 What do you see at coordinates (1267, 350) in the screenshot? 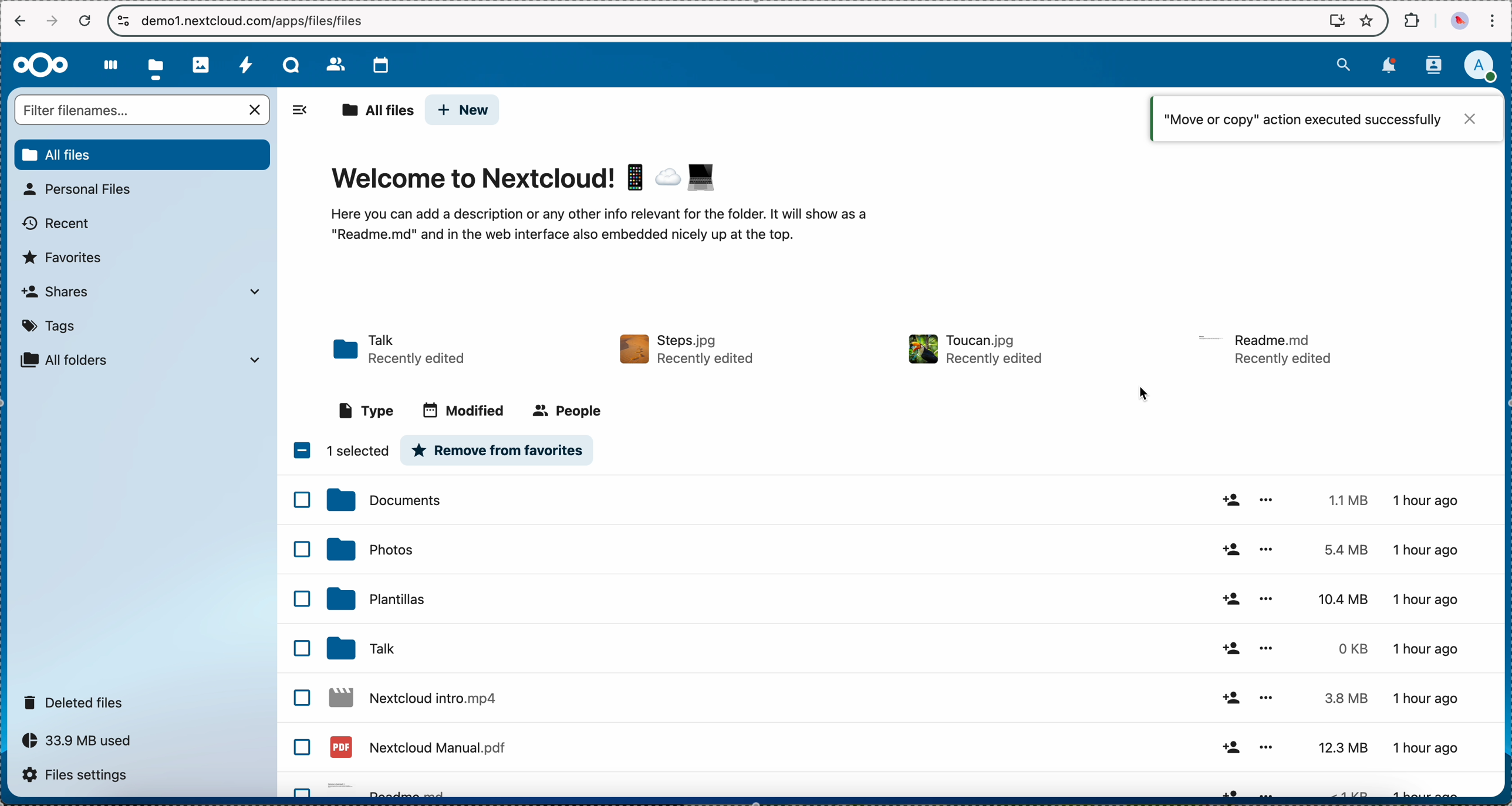
I see `file` at bounding box center [1267, 350].